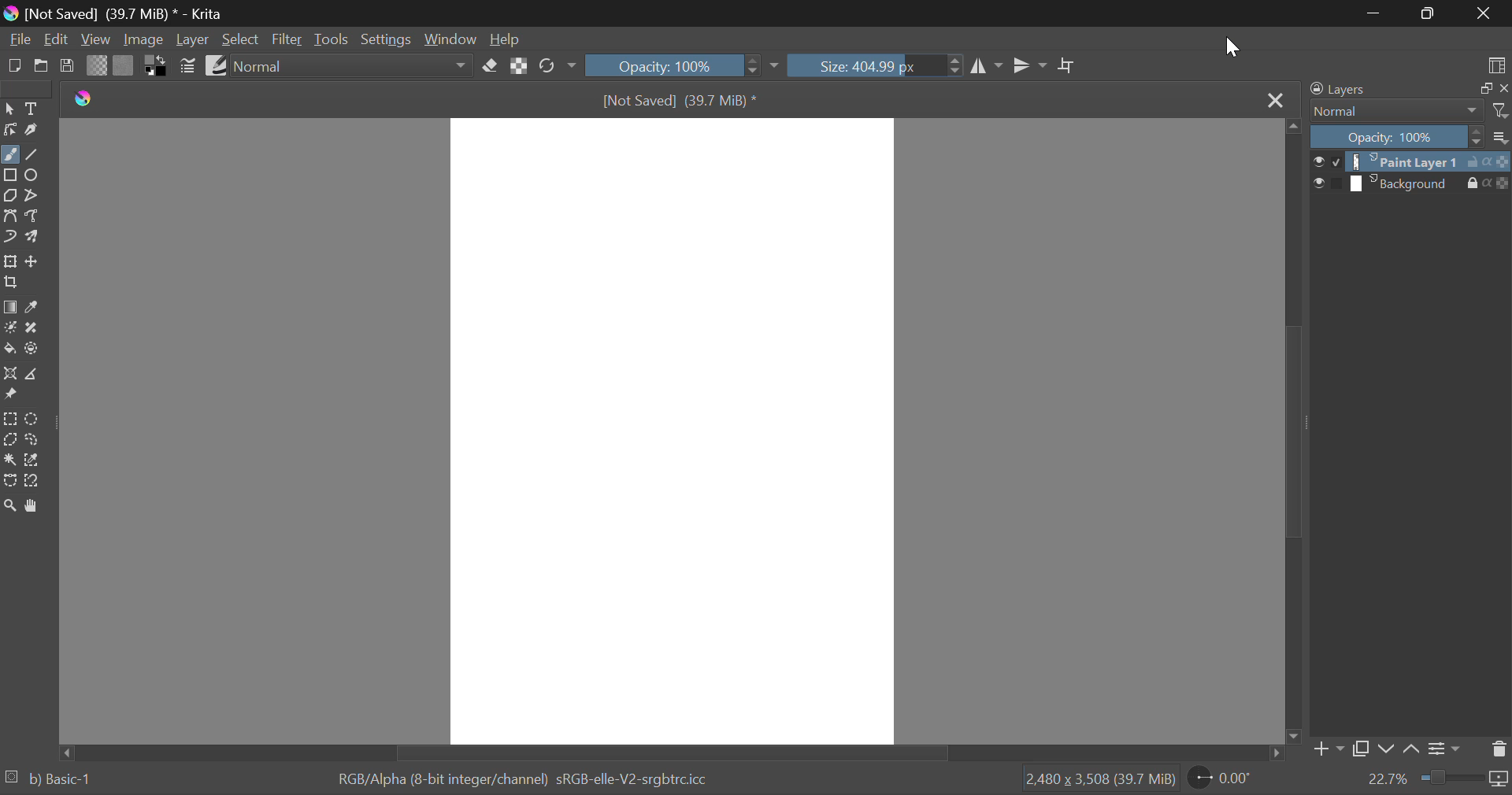  What do you see at coordinates (1031, 65) in the screenshot?
I see `Horizontal Mirror Flip` at bounding box center [1031, 65].